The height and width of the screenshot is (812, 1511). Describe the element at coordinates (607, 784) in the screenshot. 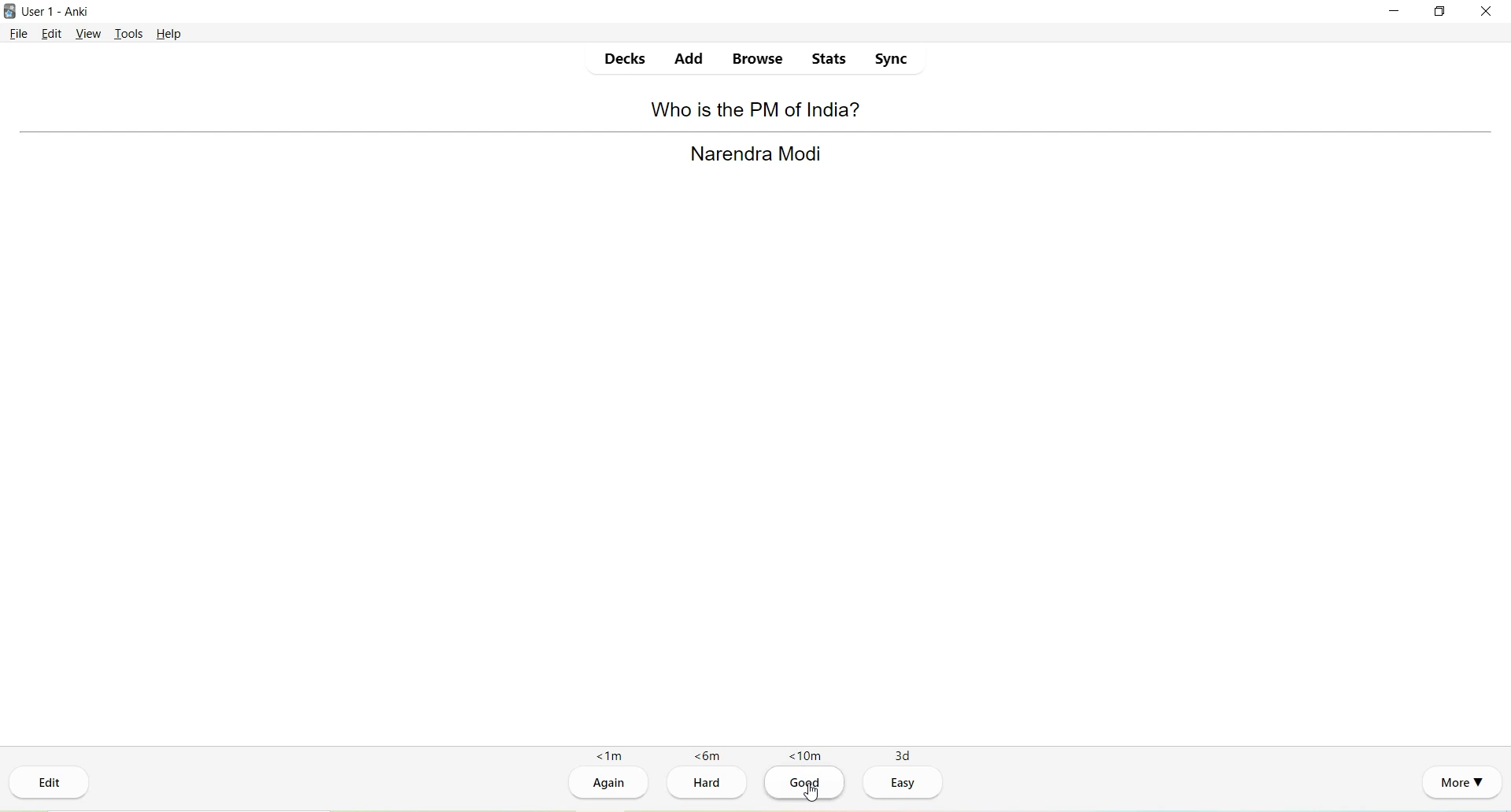

I see `Again` at that location.